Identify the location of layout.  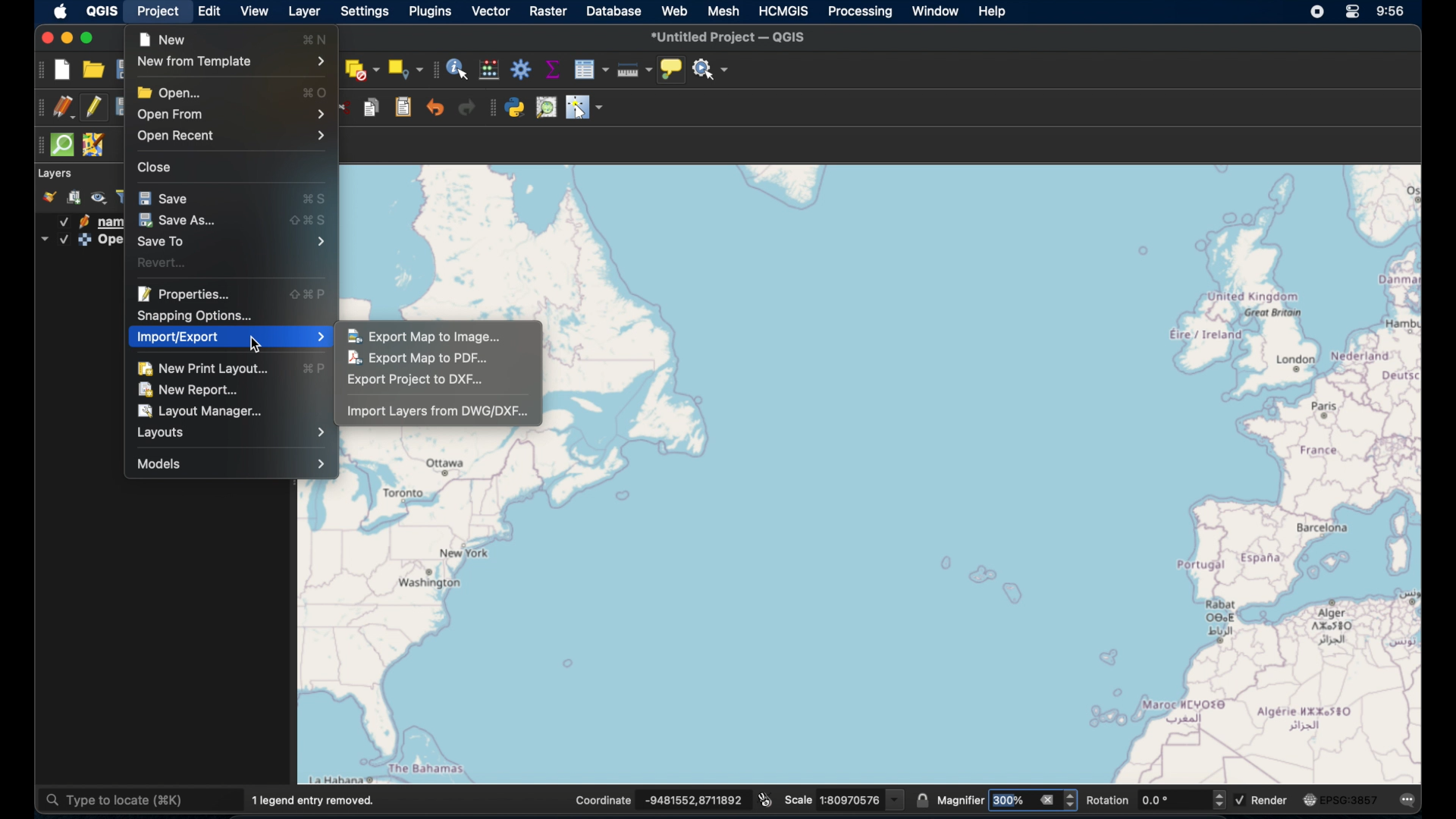
(233, 433).